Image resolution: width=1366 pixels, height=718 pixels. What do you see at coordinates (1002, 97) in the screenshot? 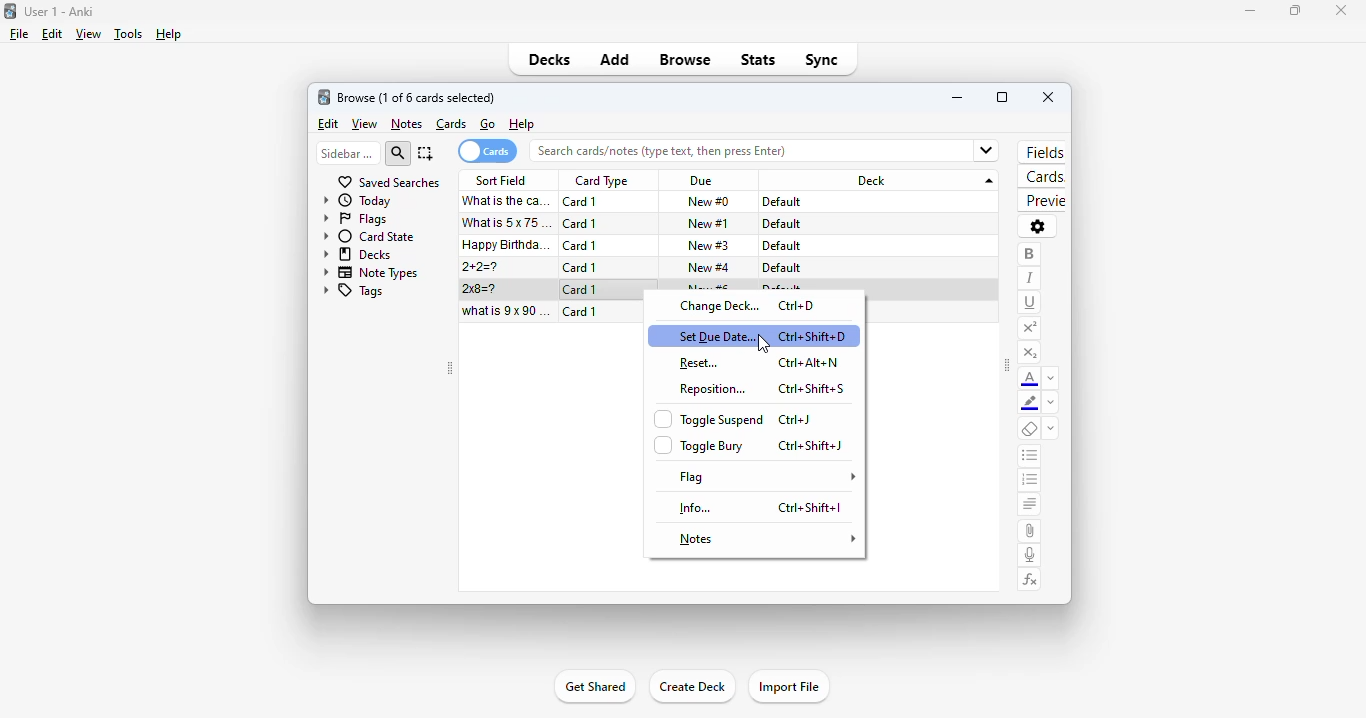
I see `maximize` at bounding box center [1002, 97].